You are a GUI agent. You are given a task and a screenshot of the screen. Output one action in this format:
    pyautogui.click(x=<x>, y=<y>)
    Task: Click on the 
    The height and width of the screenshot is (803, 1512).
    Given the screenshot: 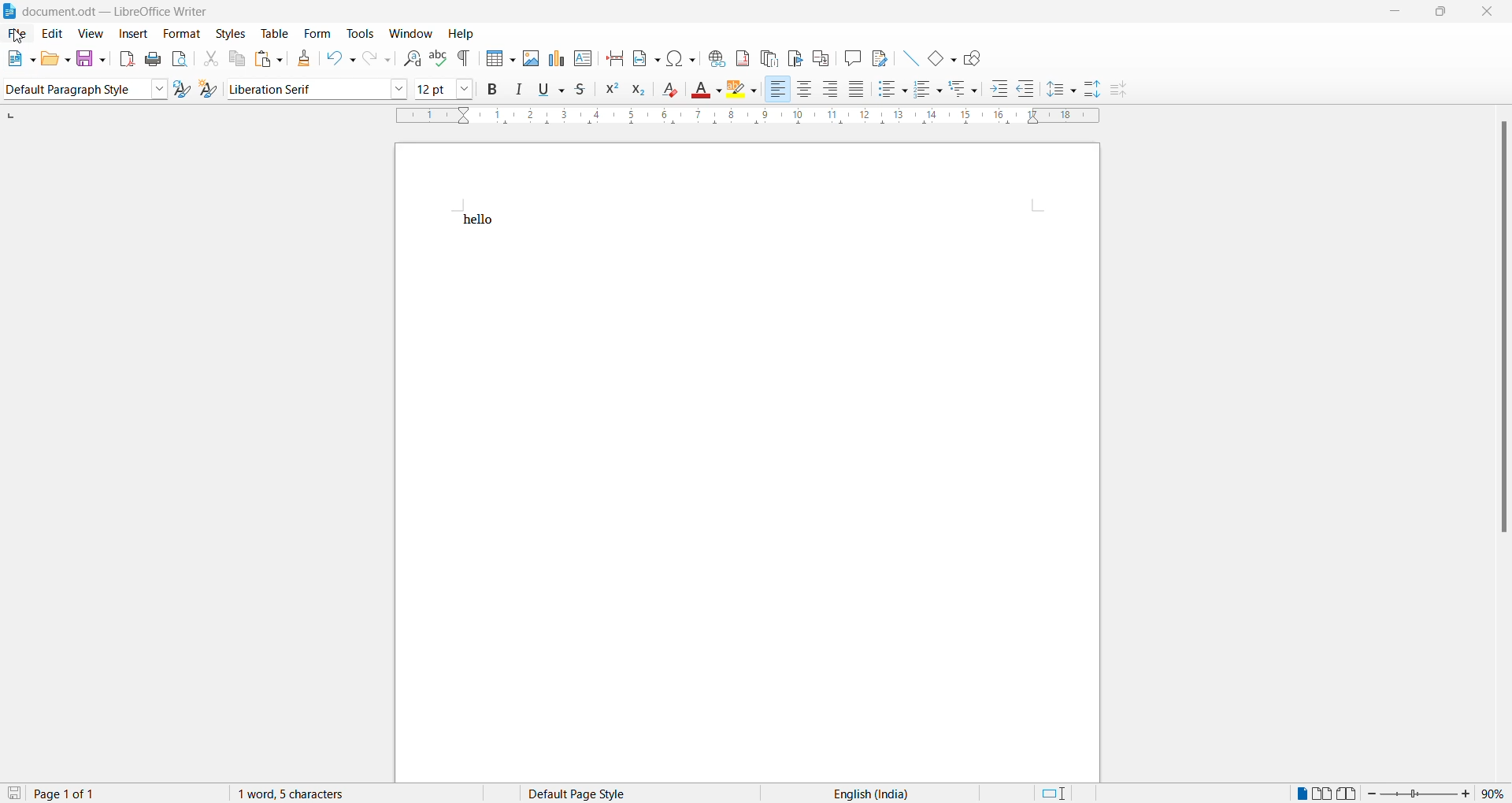 What is the action you would take?
    pyautogui.click(x=1026, y=90)
    